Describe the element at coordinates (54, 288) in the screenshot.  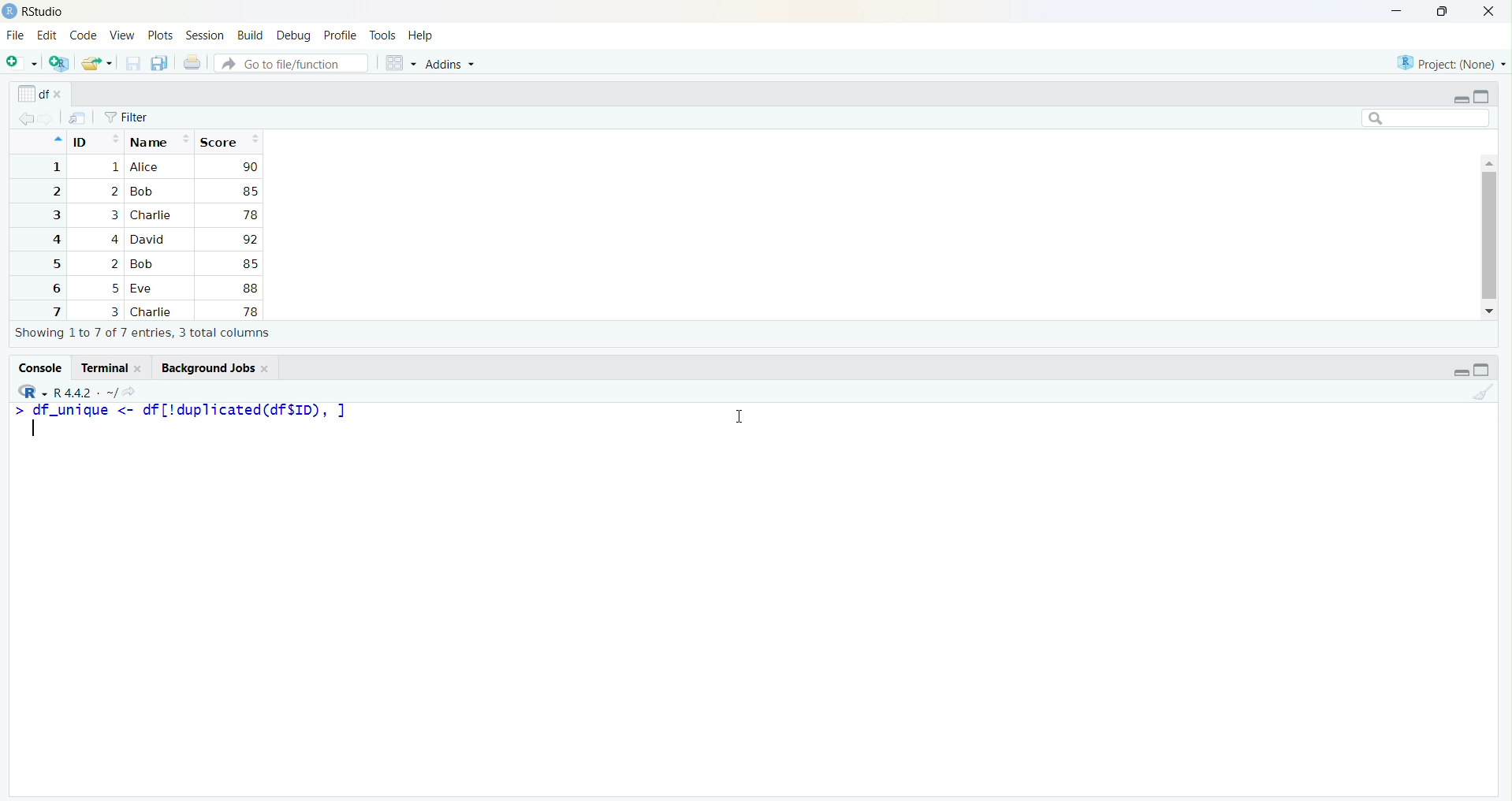
I see `6` at that location.